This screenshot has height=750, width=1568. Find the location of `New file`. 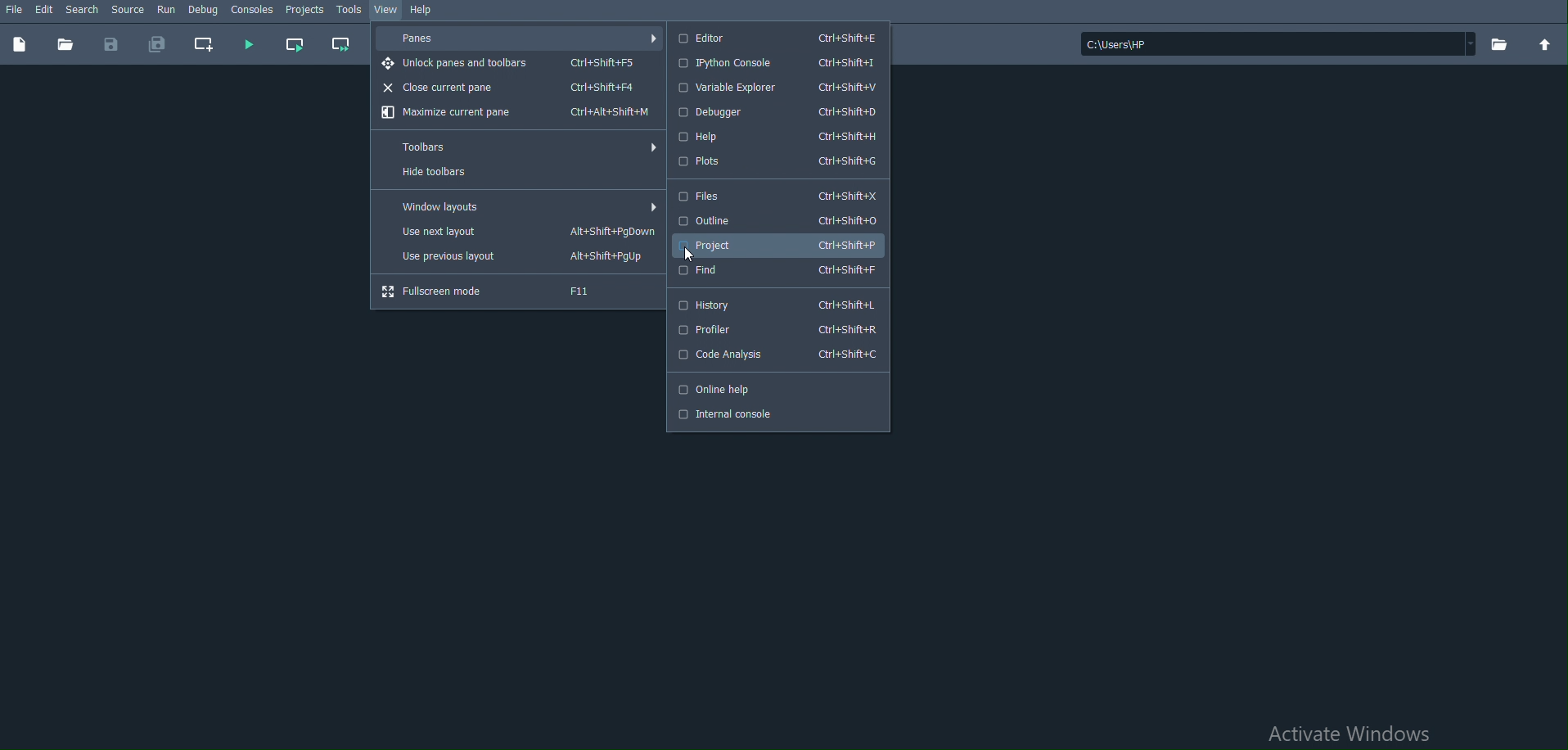

New file is located at coordinates (19, 44).